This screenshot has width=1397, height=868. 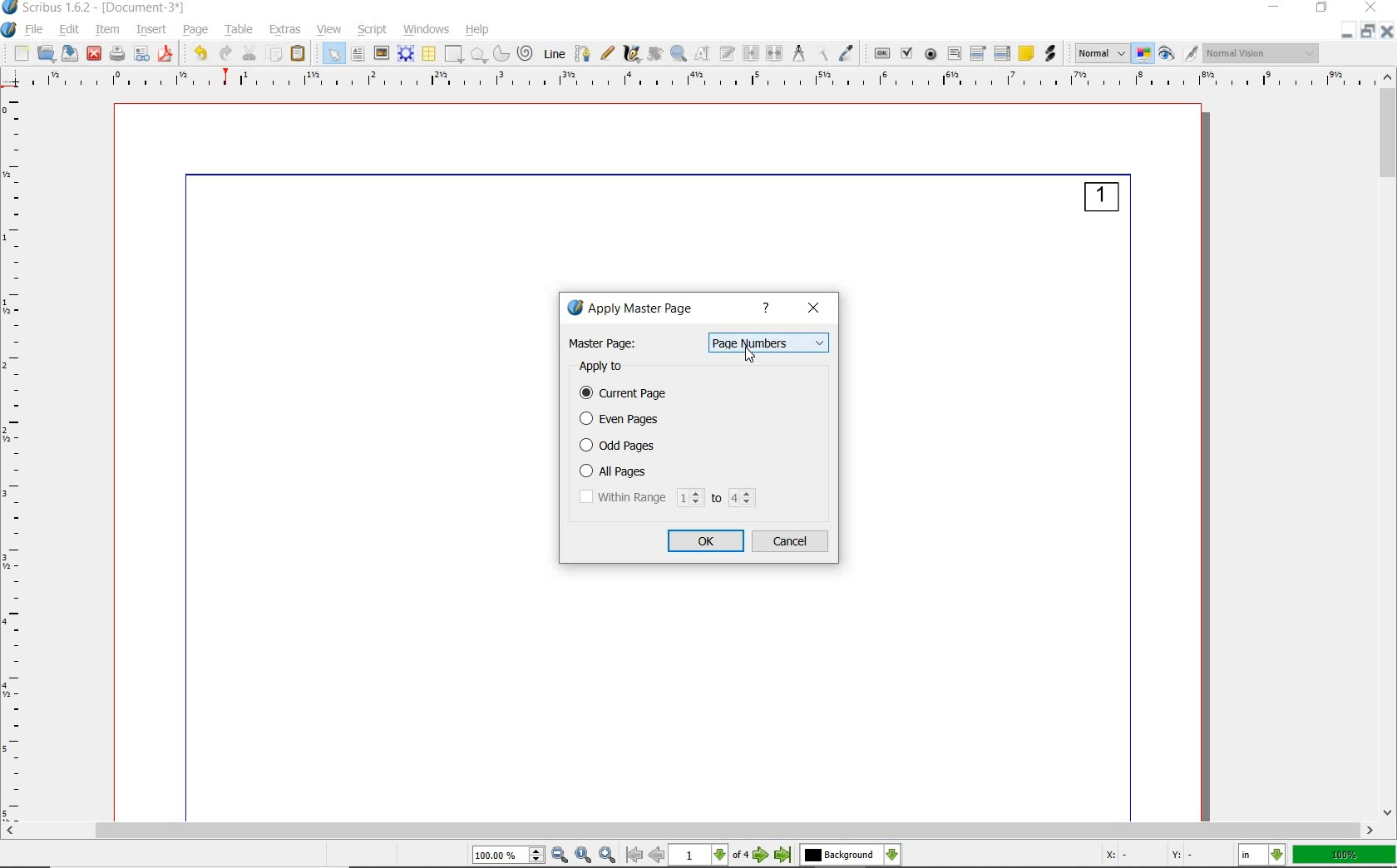 I want to click on restore, so click(x=1369, y=32).